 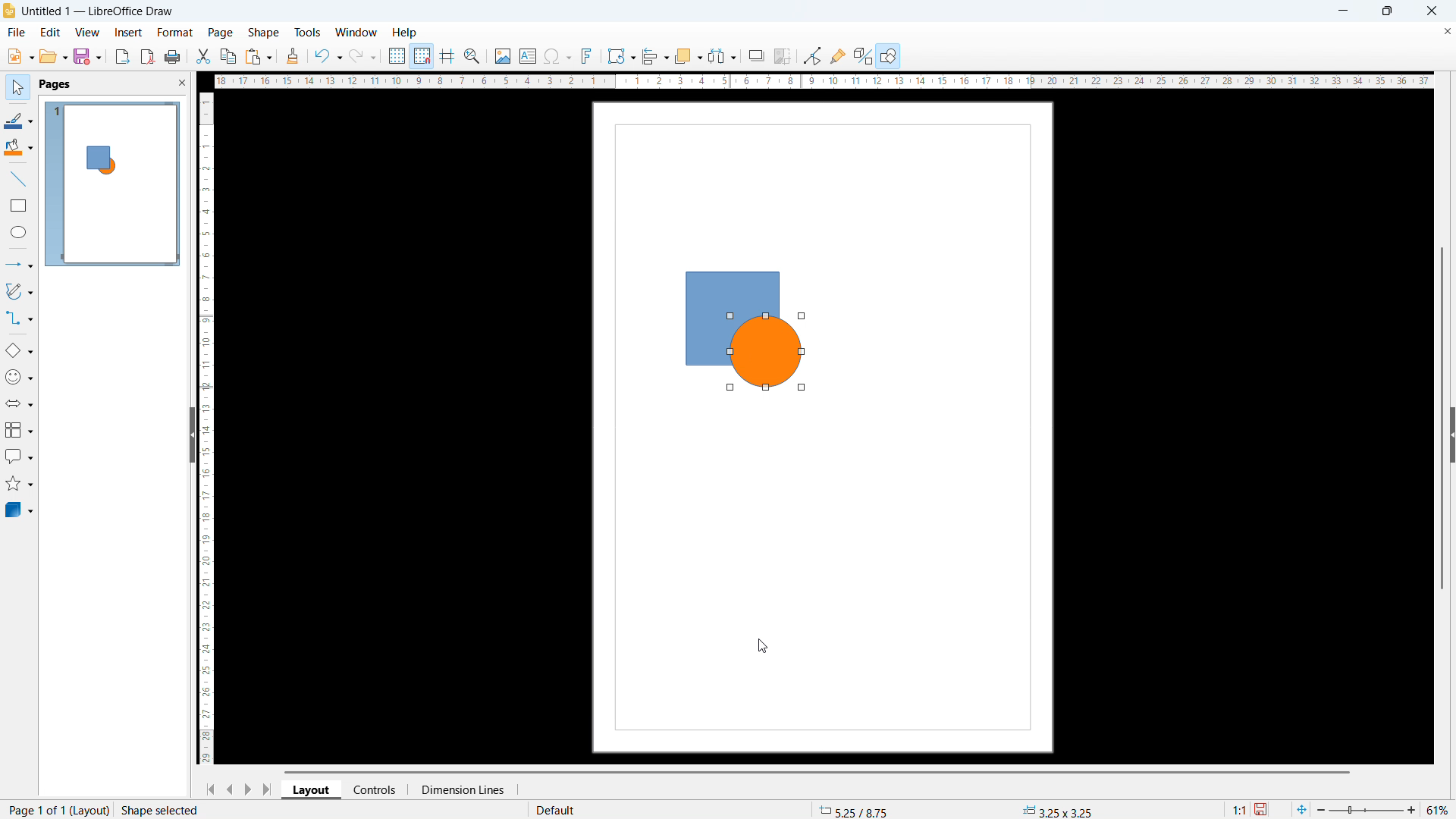 What do you see at coordinates (689, 57) in the screenshot?
I see `arrange` at bounding box center [689, 57].